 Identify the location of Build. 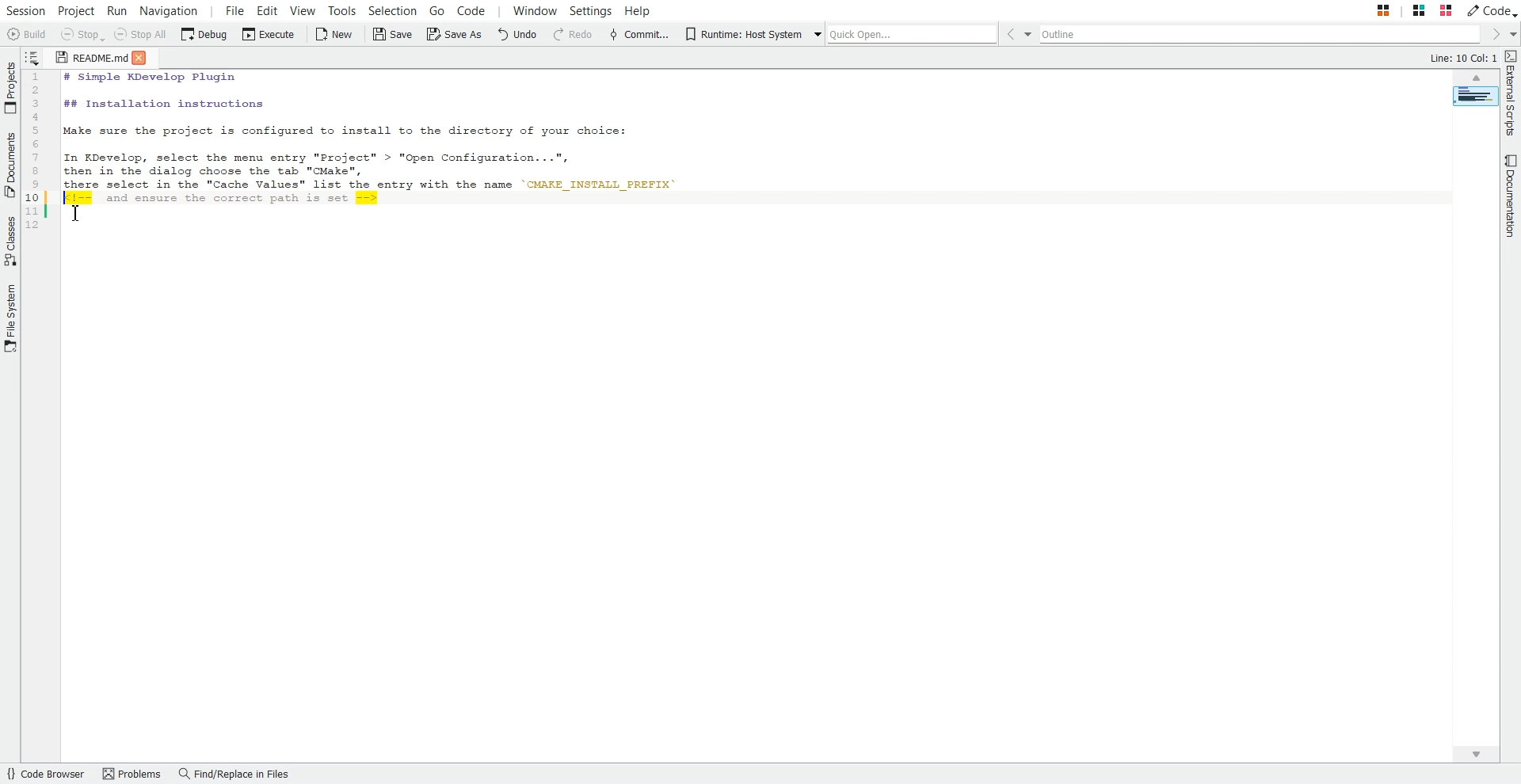
(25, 34).